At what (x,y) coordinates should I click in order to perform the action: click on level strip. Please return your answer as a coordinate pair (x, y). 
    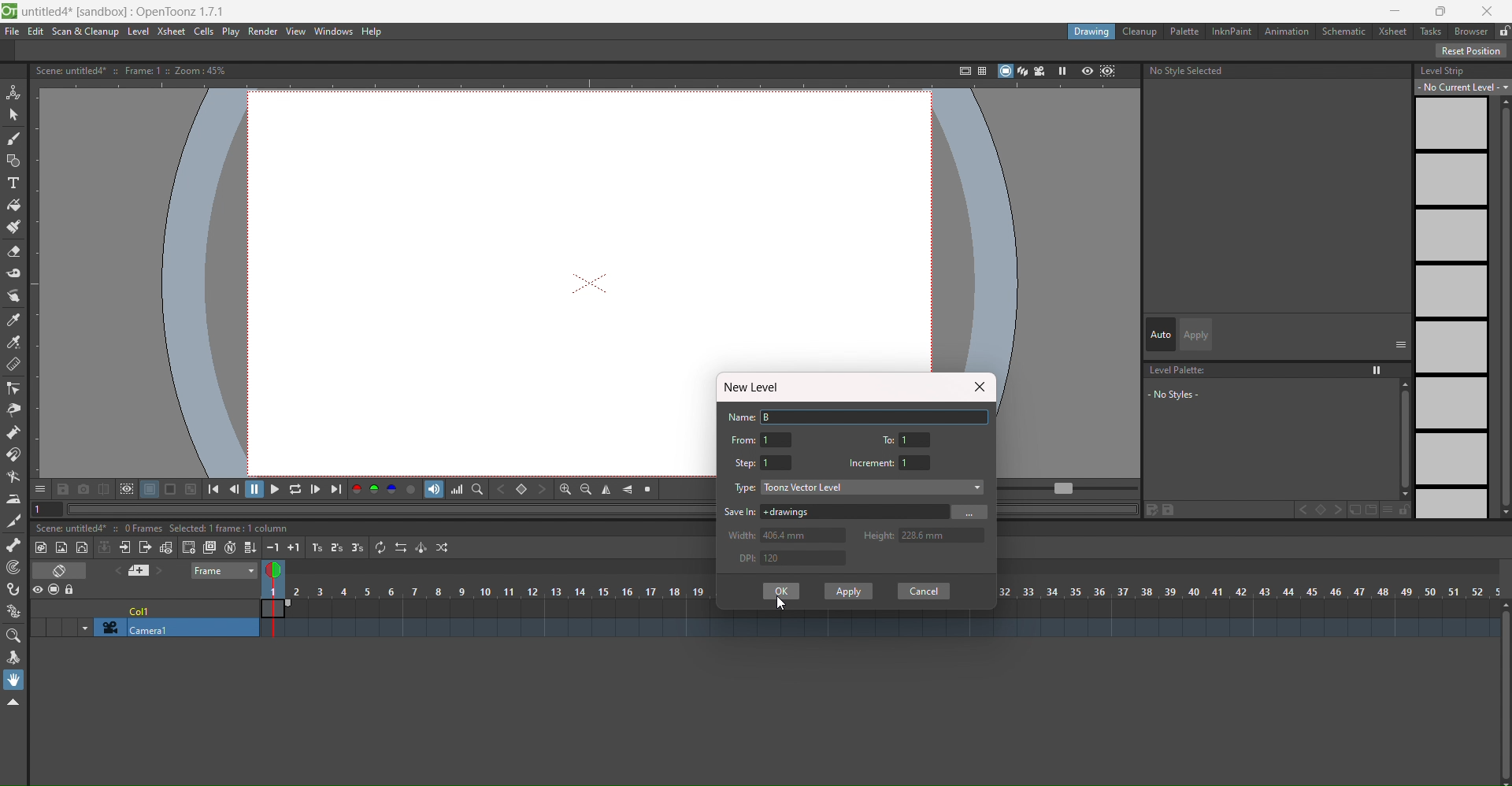
    Looking at the image, I should click on (1443, 70).